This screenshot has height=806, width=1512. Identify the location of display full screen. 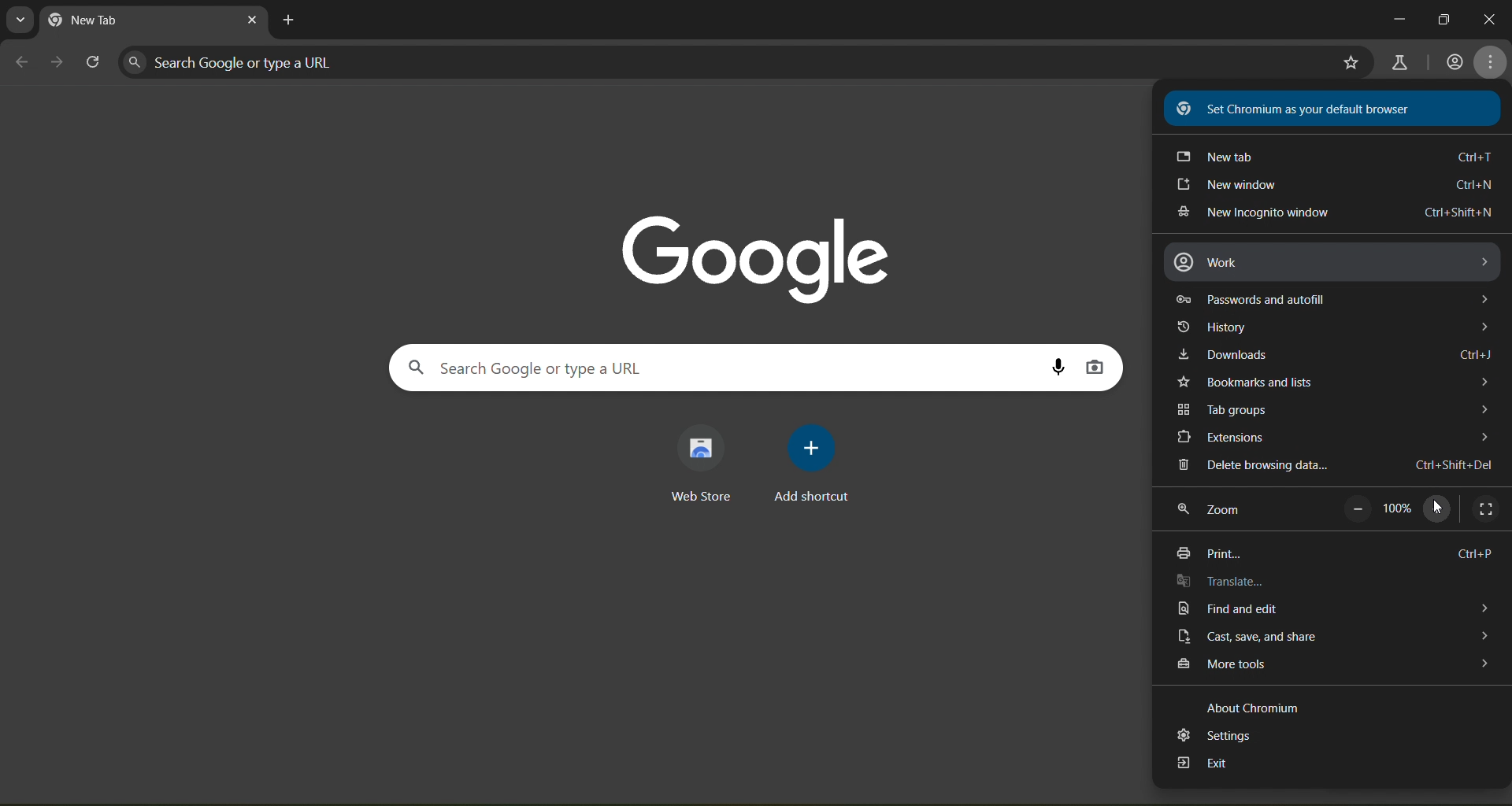
(1487, 507).